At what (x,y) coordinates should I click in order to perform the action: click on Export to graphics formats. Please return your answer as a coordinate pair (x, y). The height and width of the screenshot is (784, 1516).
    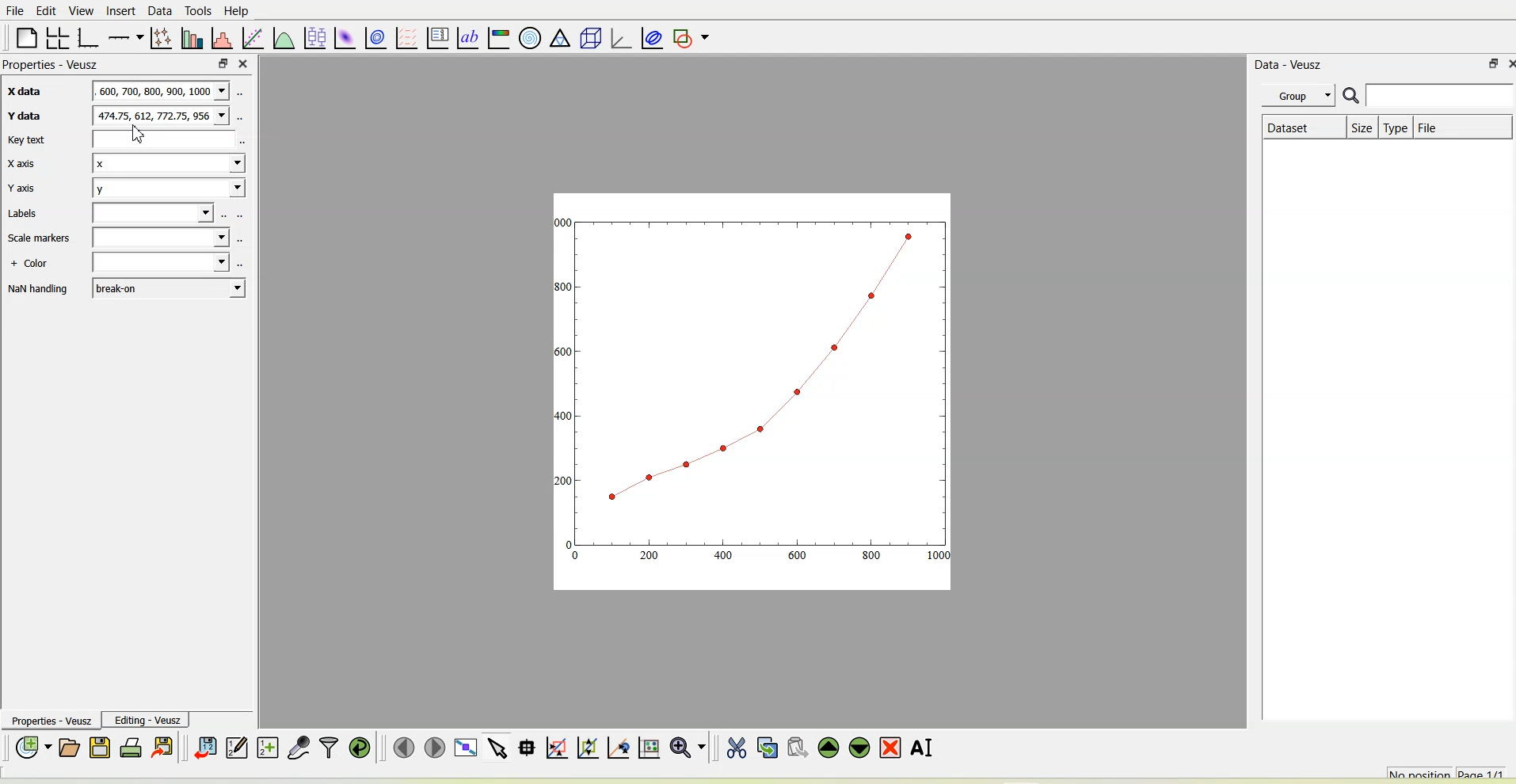
    Looking at the image, I should click on (162, 748).